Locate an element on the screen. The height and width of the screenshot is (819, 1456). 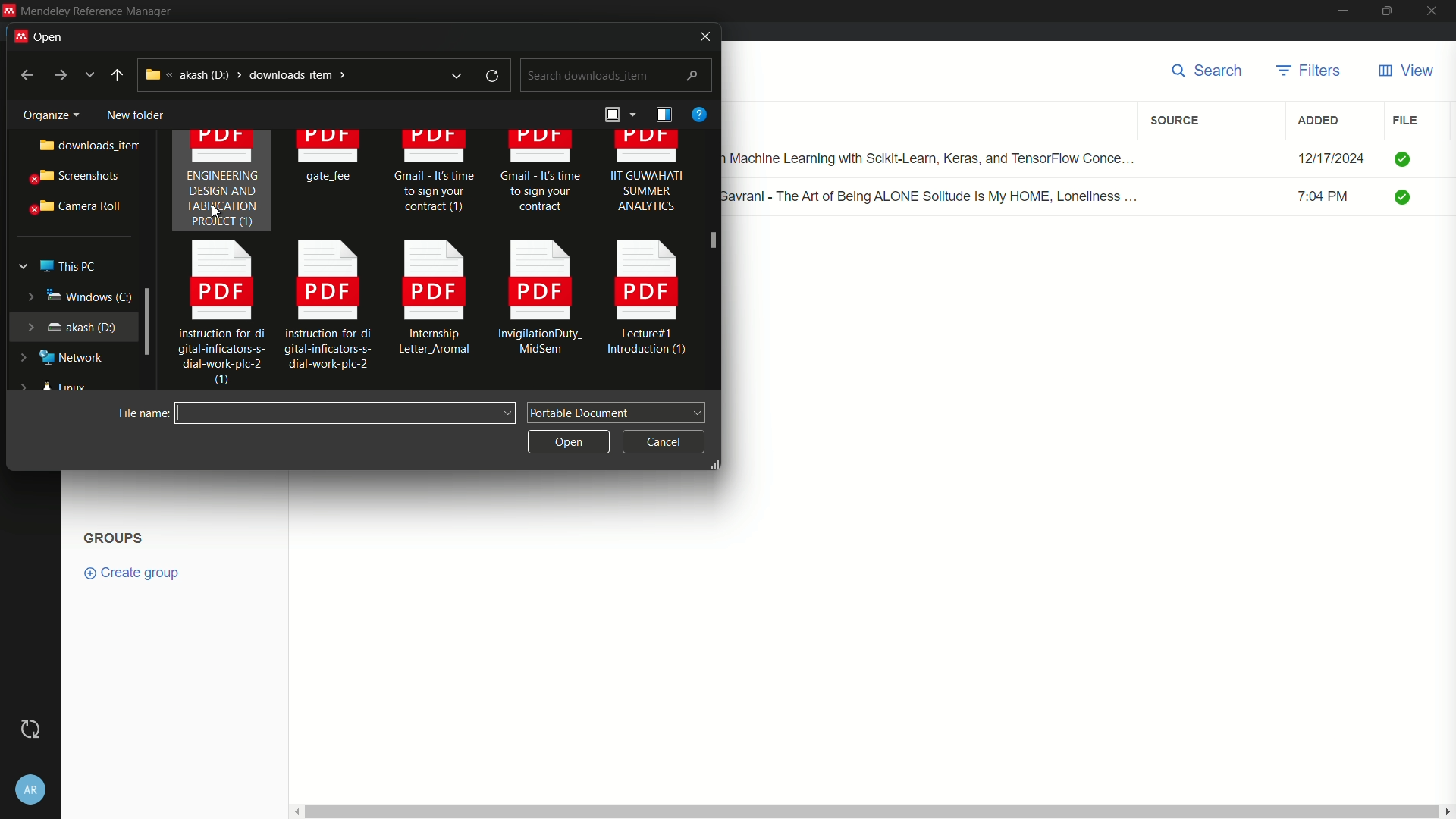
account settings is located at coordinates (31, 786).